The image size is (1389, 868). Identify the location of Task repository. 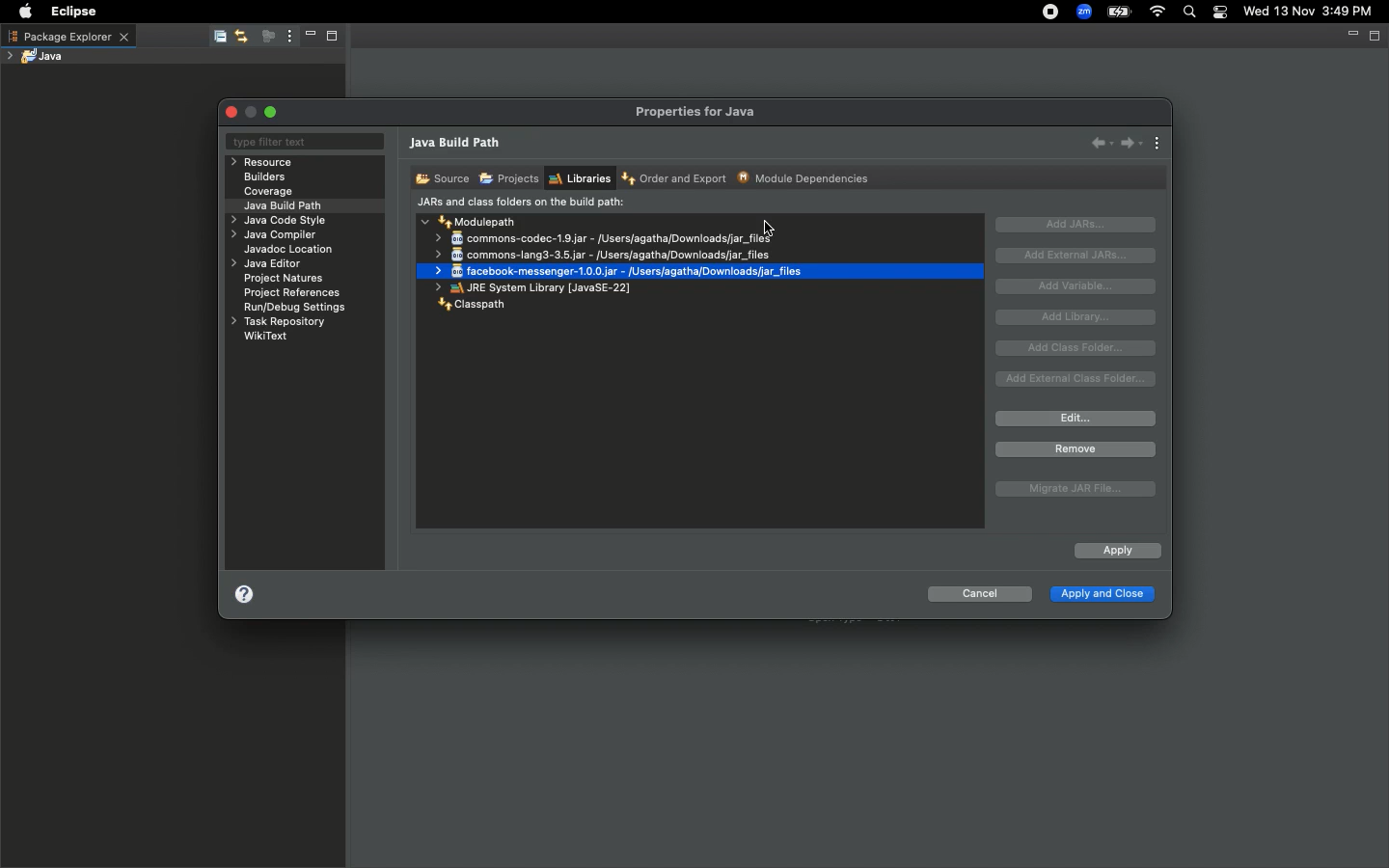
(277, 322).